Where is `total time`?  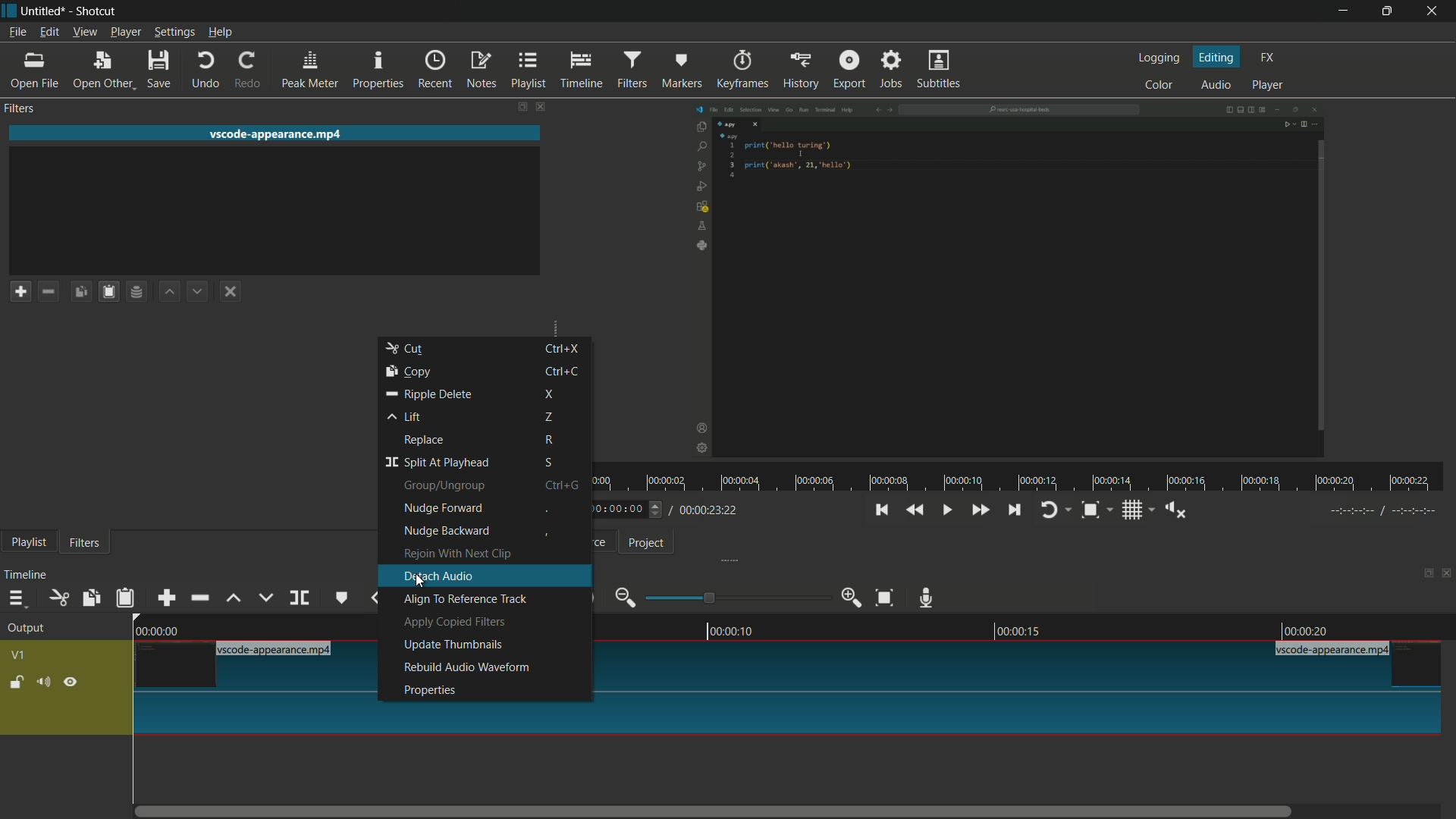
total time is located at coordinates (706, 510).